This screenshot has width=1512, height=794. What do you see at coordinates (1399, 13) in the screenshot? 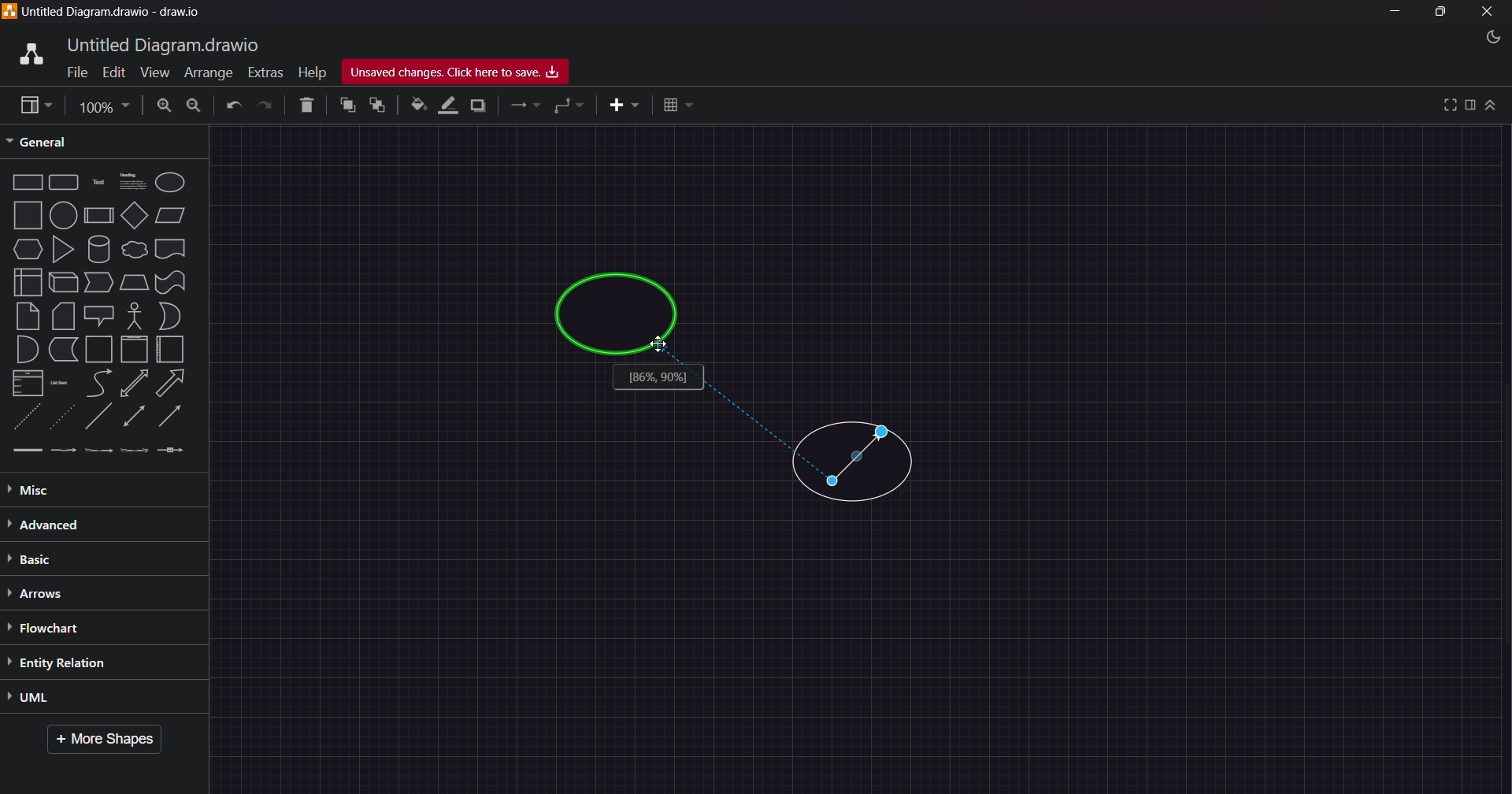
I see `Minimize` at bounding box center [1399, 13].